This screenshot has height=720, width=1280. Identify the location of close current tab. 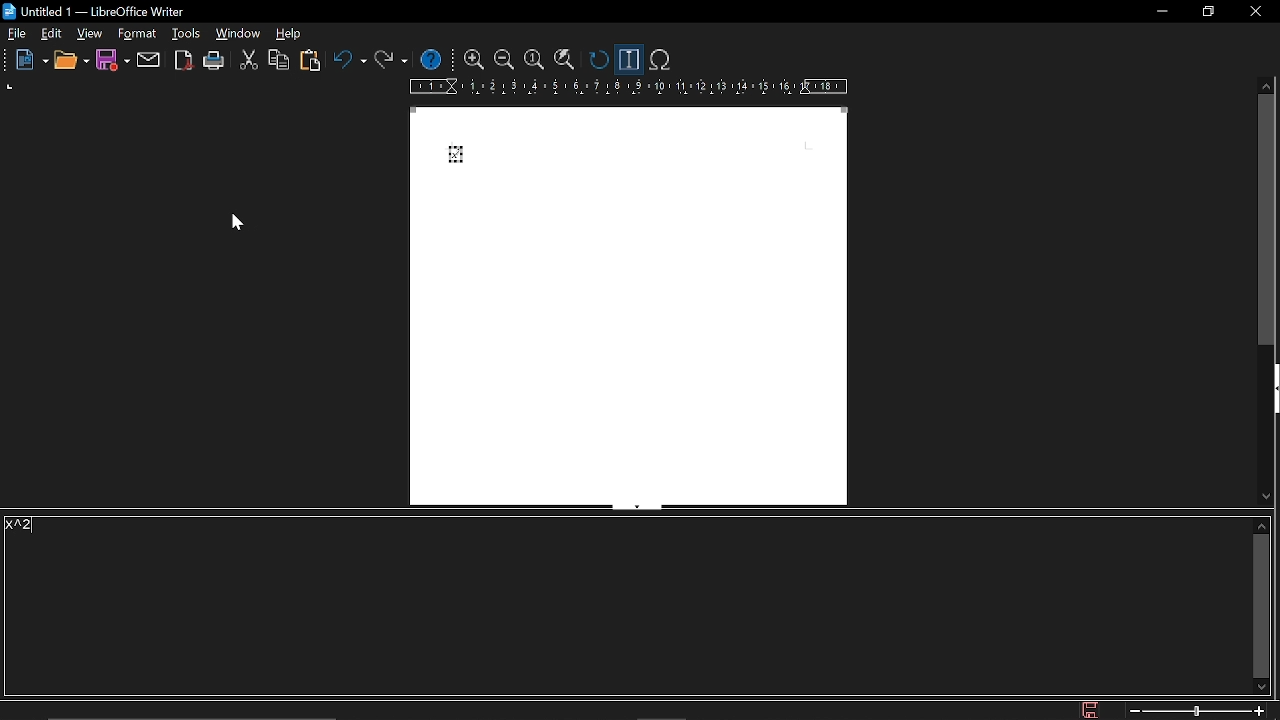
(1269, 33).